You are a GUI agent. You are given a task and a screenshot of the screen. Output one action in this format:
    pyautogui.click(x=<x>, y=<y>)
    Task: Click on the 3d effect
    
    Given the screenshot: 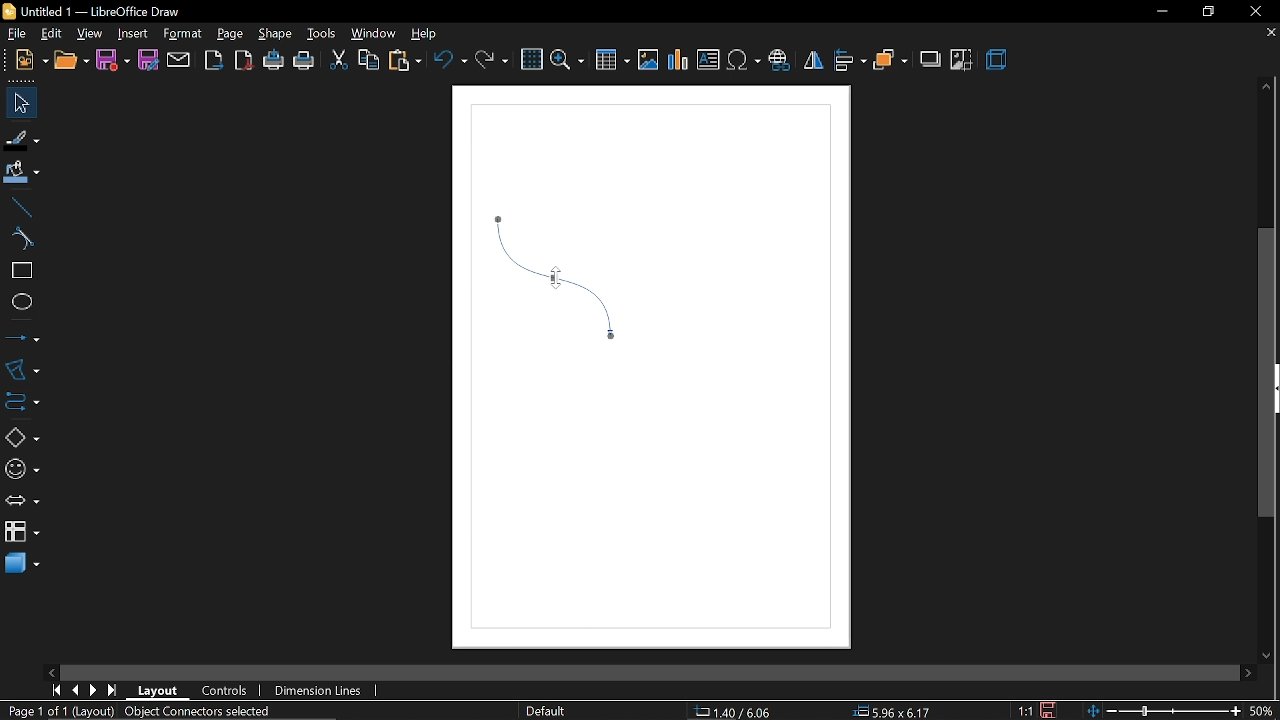 What is the action you would take?
    pyautogui.click(x=997, y=62)
    